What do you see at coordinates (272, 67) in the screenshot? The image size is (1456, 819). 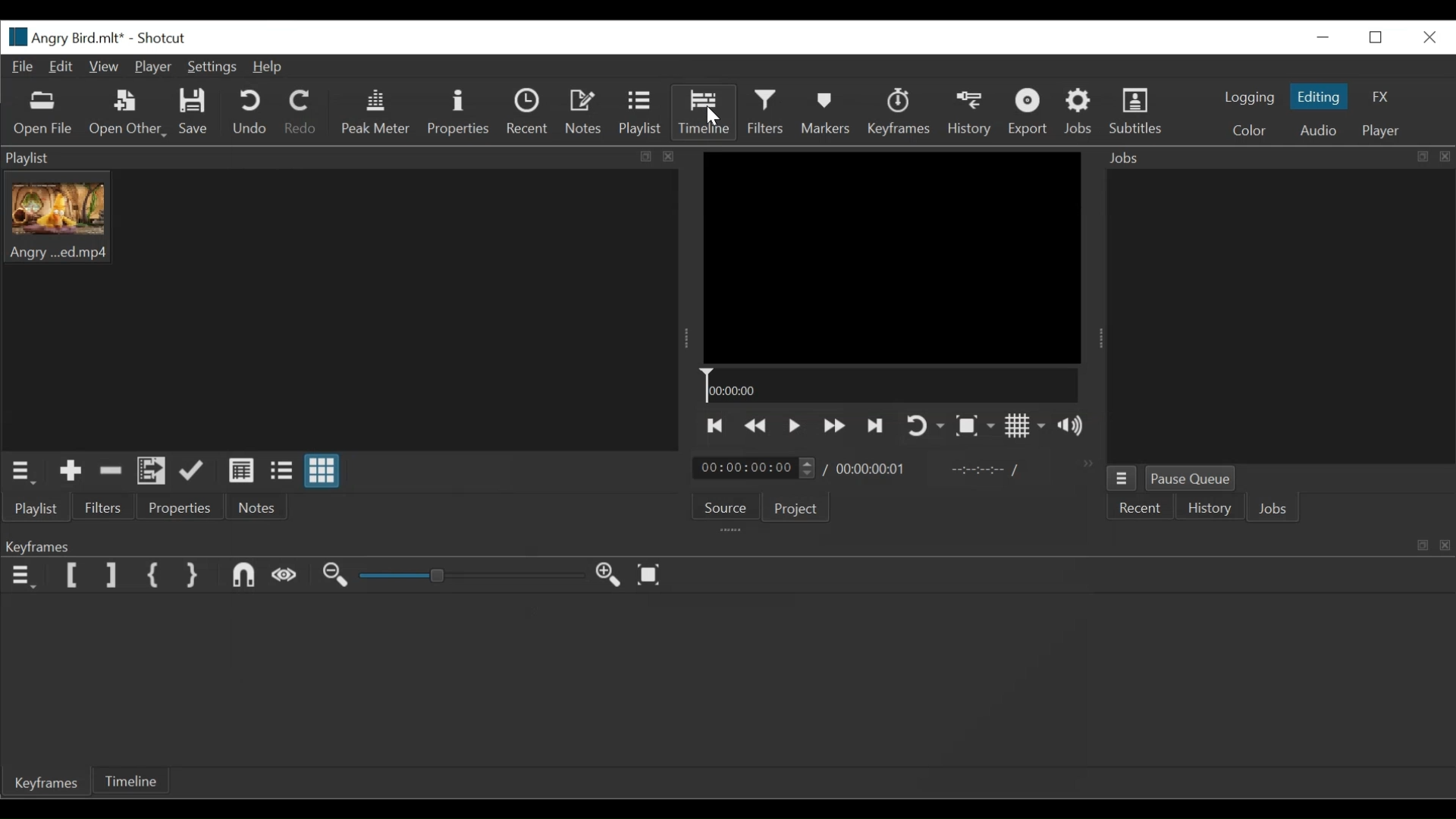 I see `Help` at bounding box center [272, 67].